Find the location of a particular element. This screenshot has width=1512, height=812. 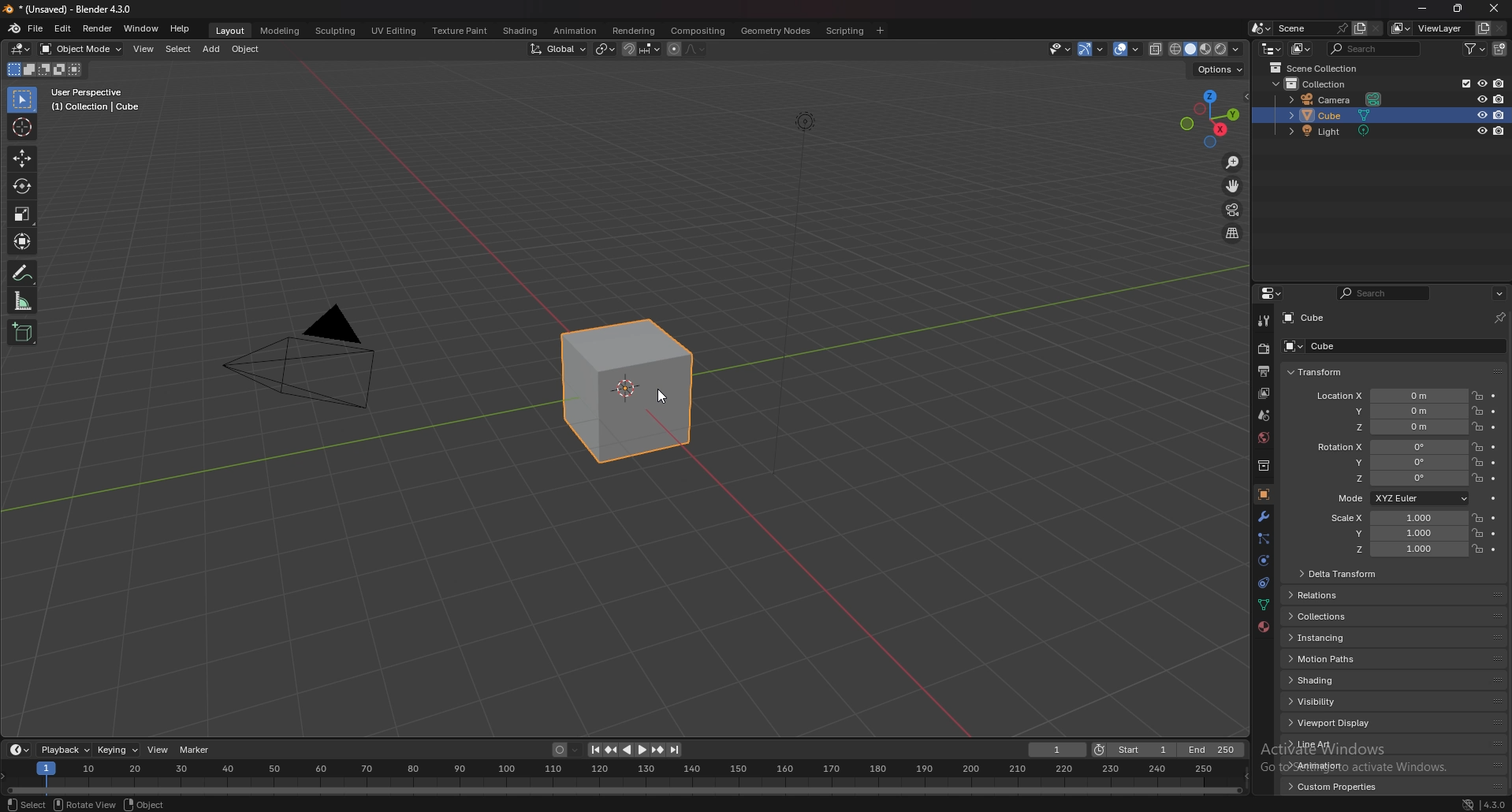

search is located at coordinates (1372, 48).